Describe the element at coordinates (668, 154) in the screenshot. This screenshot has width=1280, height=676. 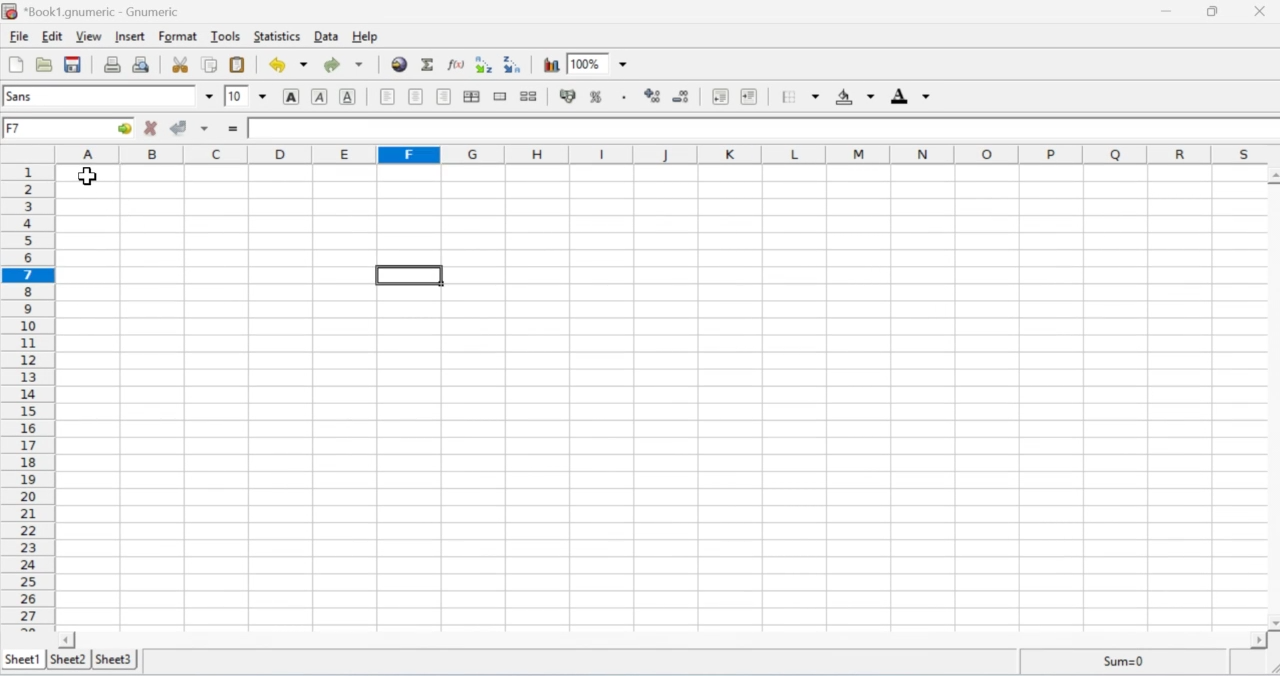
I see `Columns` at that location.